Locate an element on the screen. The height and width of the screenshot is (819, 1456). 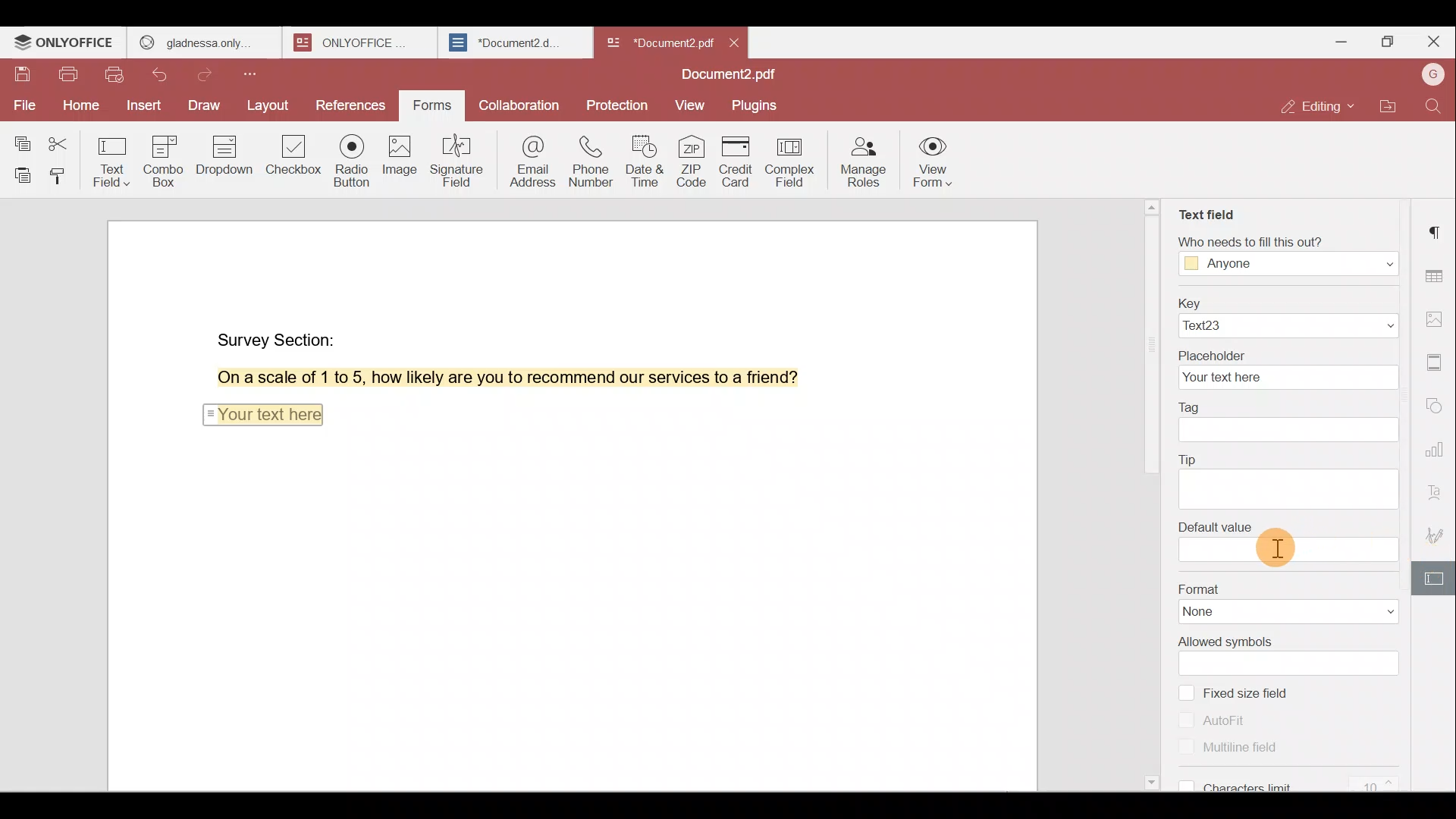
Cut is located at coordinates (64, 140).